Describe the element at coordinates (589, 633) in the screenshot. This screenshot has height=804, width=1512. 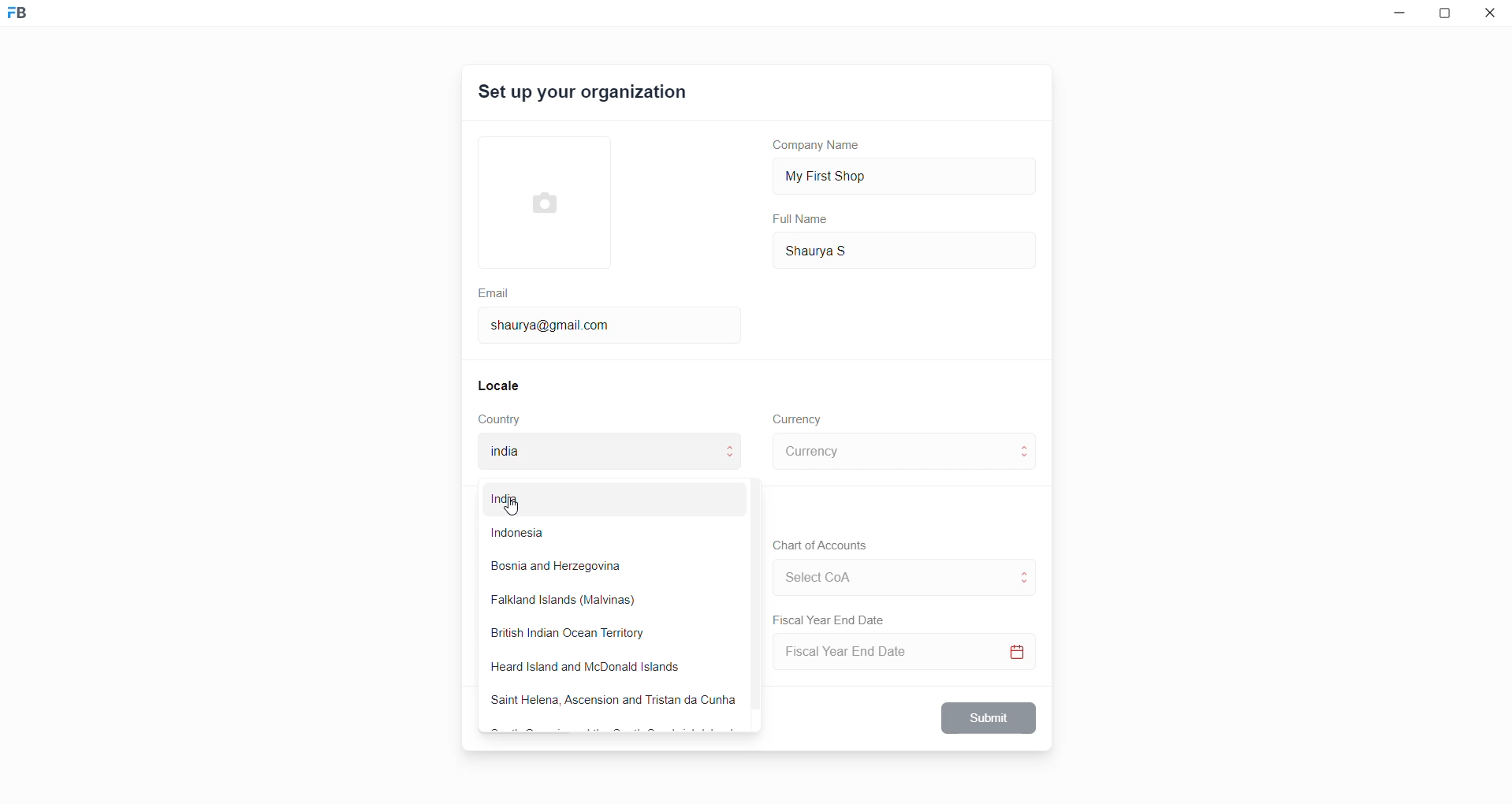
I see `British Indian Ocean Territory` at that location.